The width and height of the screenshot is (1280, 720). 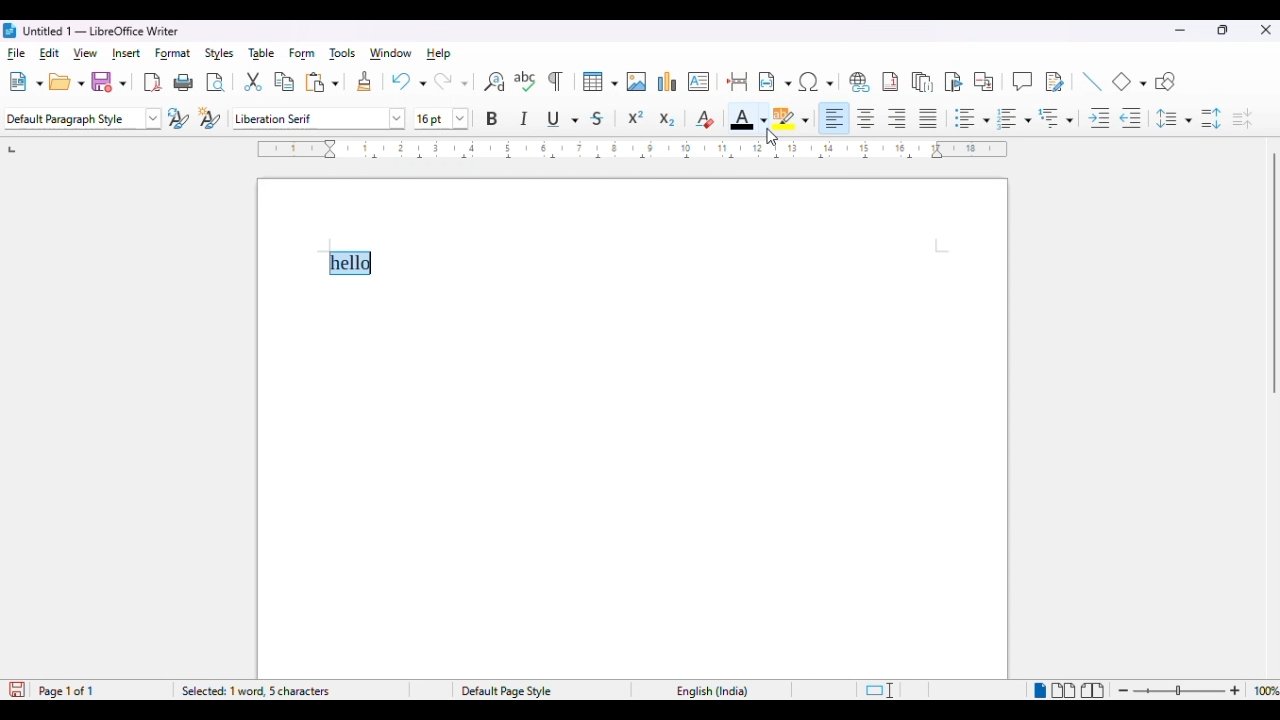 I want to click on undo, so click(x=408, y=81).